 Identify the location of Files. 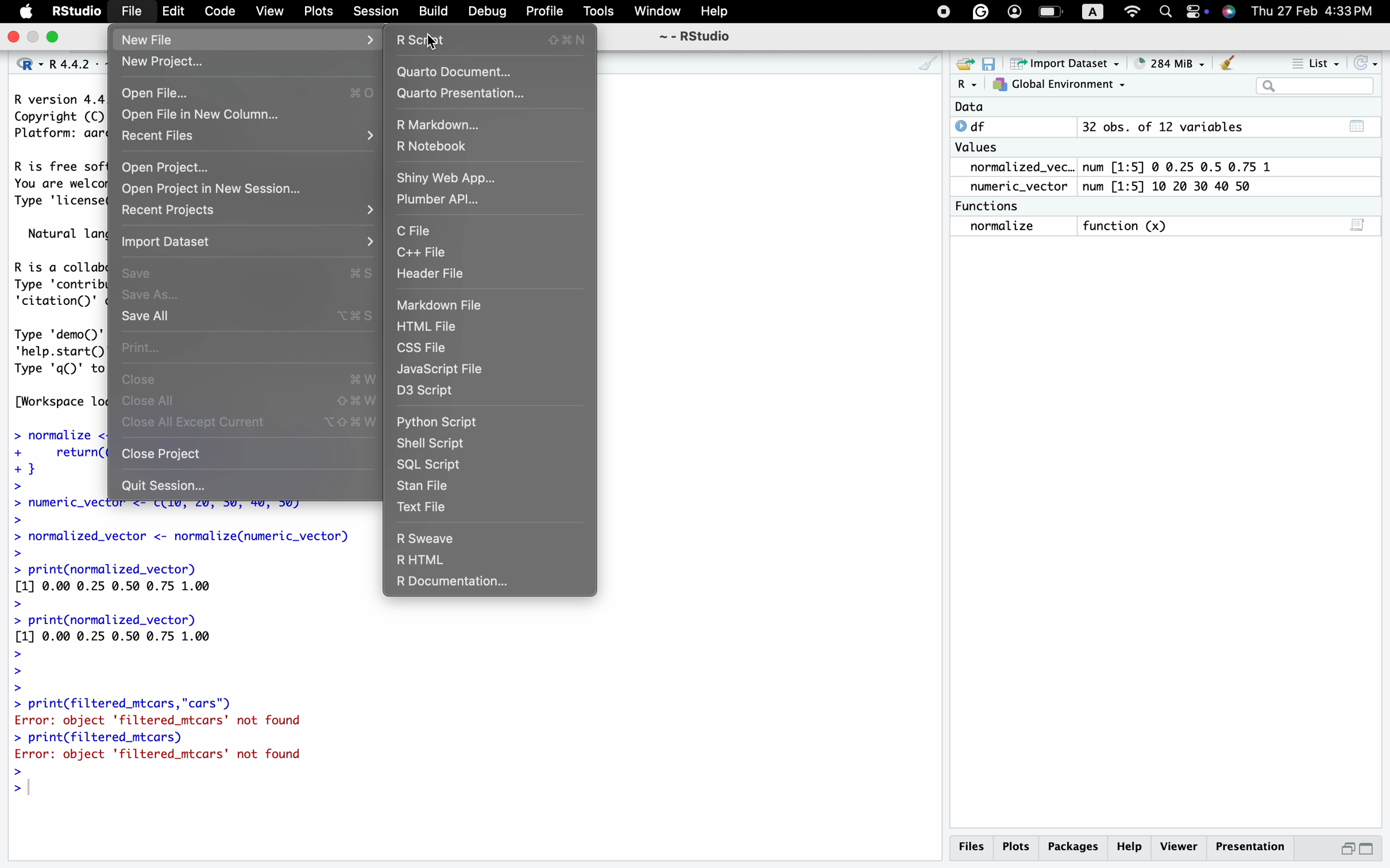
(973, 849).